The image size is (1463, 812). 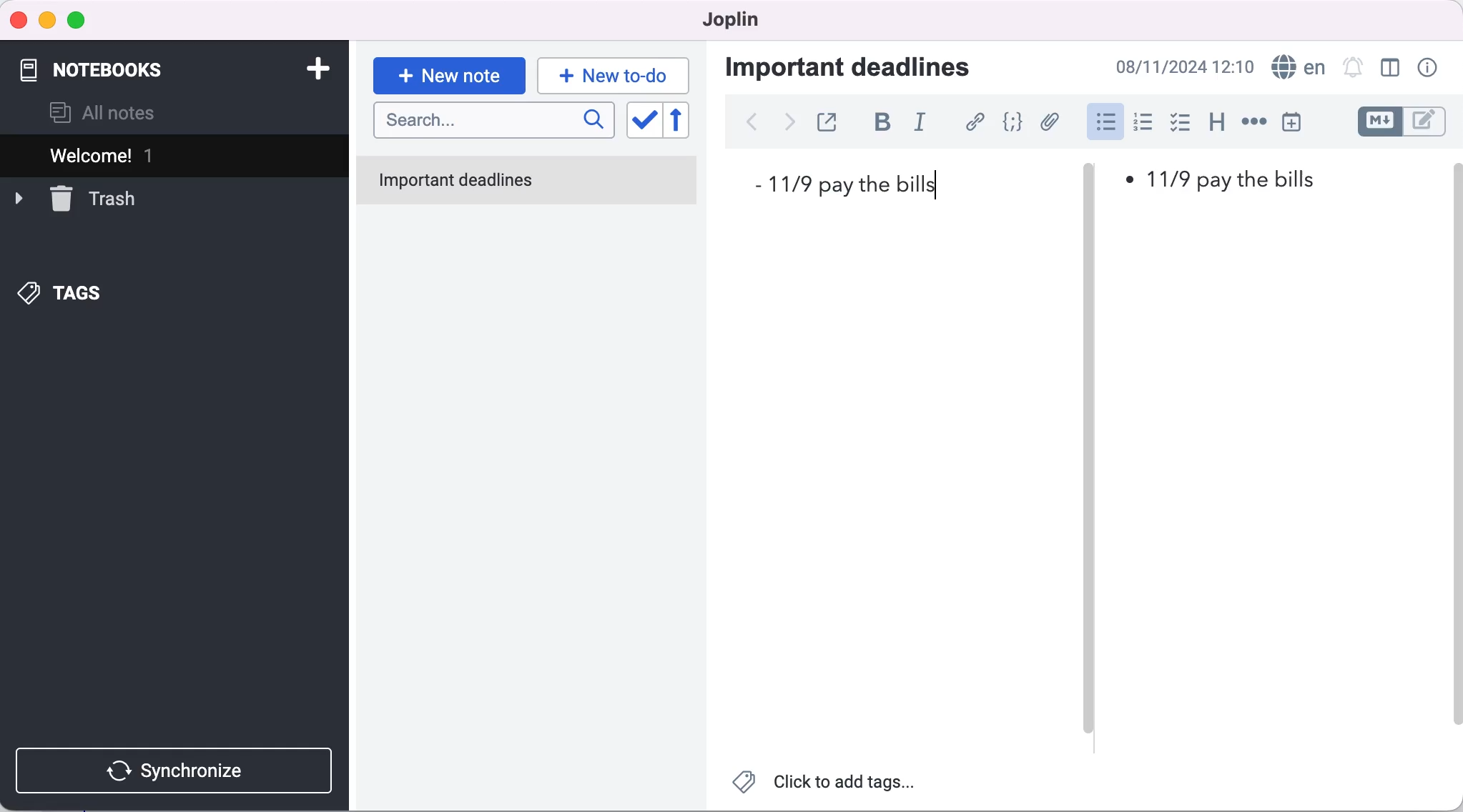 I want to click on note properties, so click(x=1432, y=69).